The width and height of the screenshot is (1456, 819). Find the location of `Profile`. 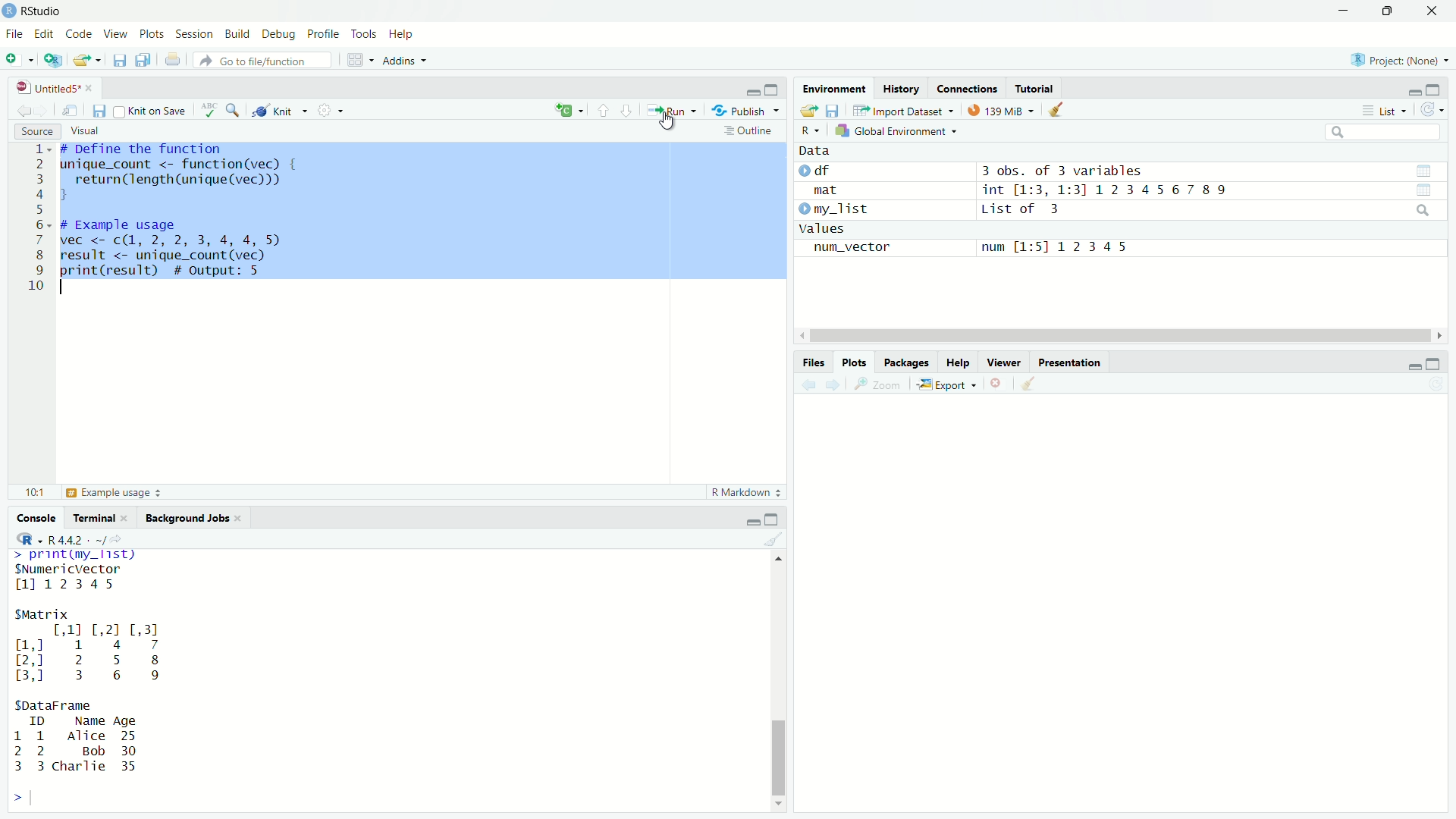

Profile is located at coordinates (325, 34).